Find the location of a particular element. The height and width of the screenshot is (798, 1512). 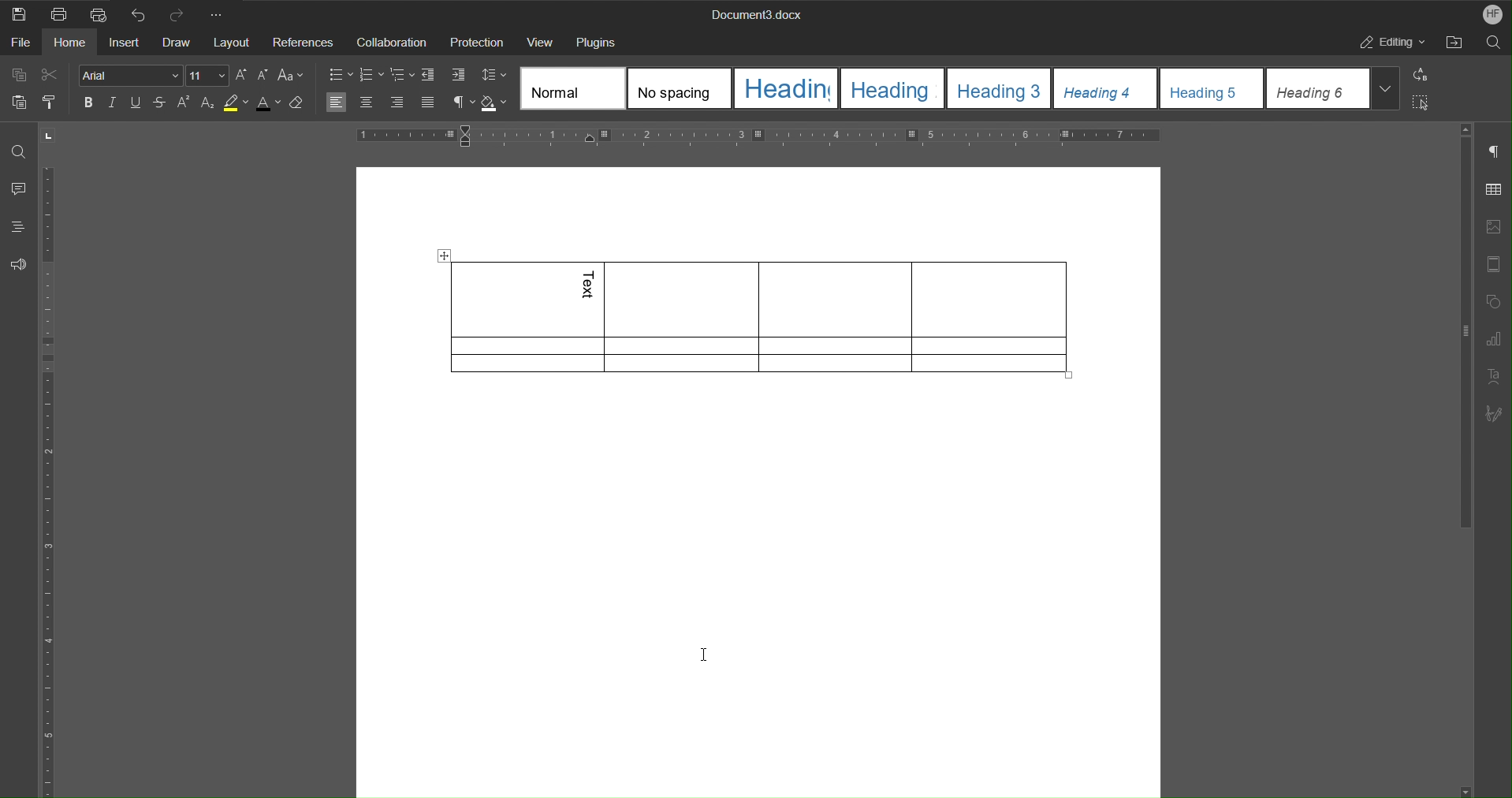

Italics is located at coordinates (114, 103).